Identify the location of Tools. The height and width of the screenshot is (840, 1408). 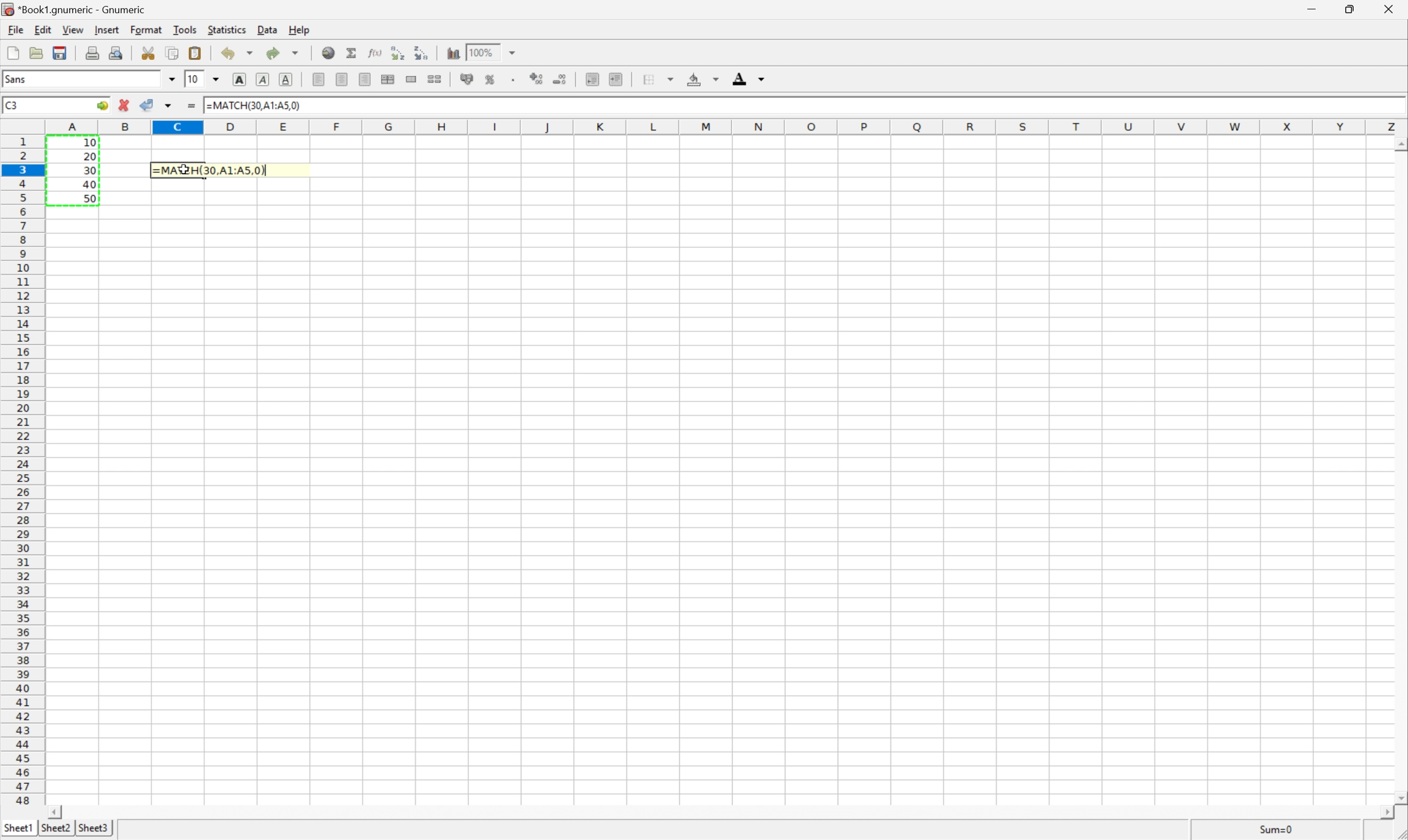
(185, 29).